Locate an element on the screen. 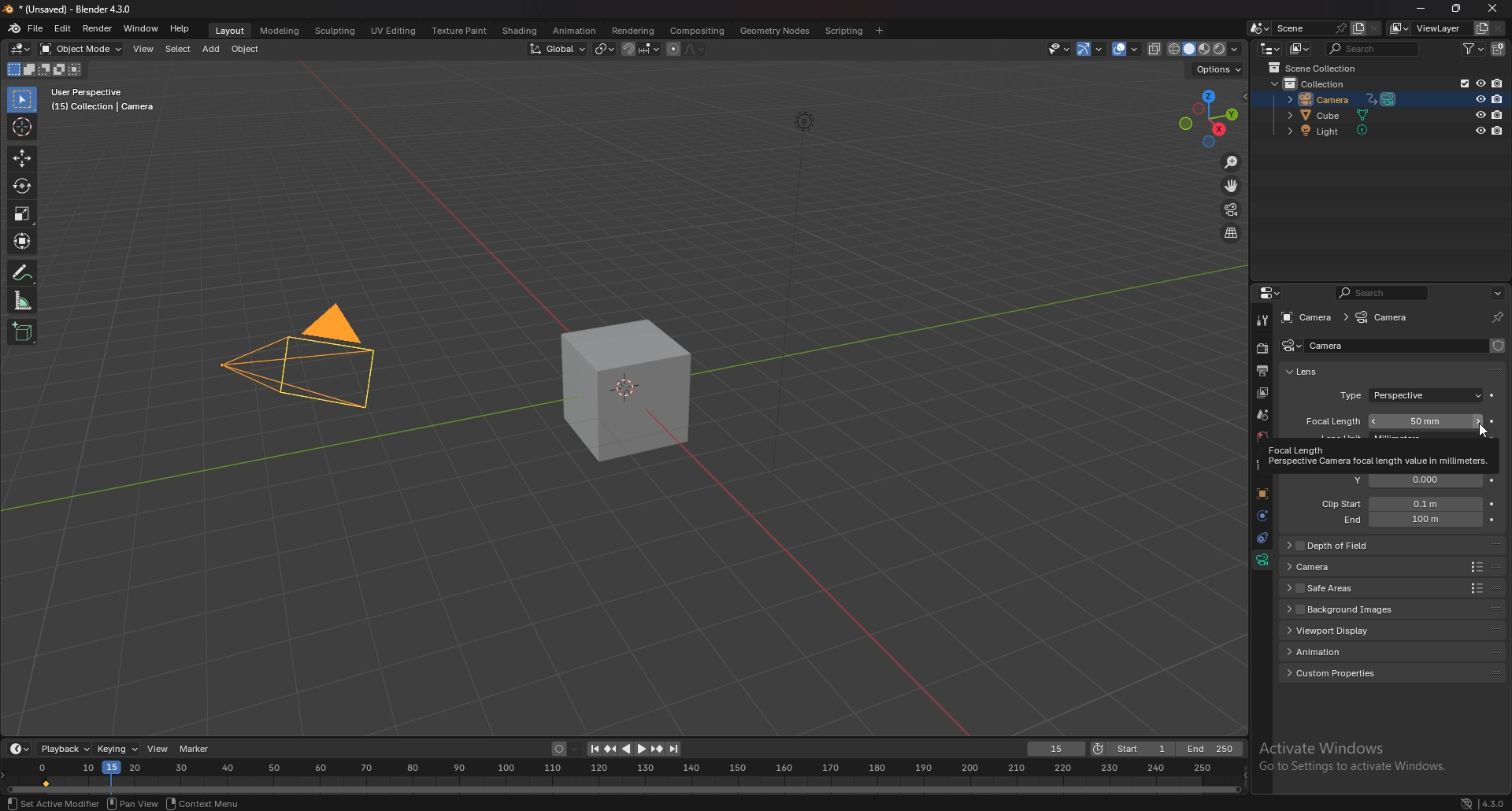 This screenshot has width=1512, height=811. disable in renders is located at coordinates (1498, 114).